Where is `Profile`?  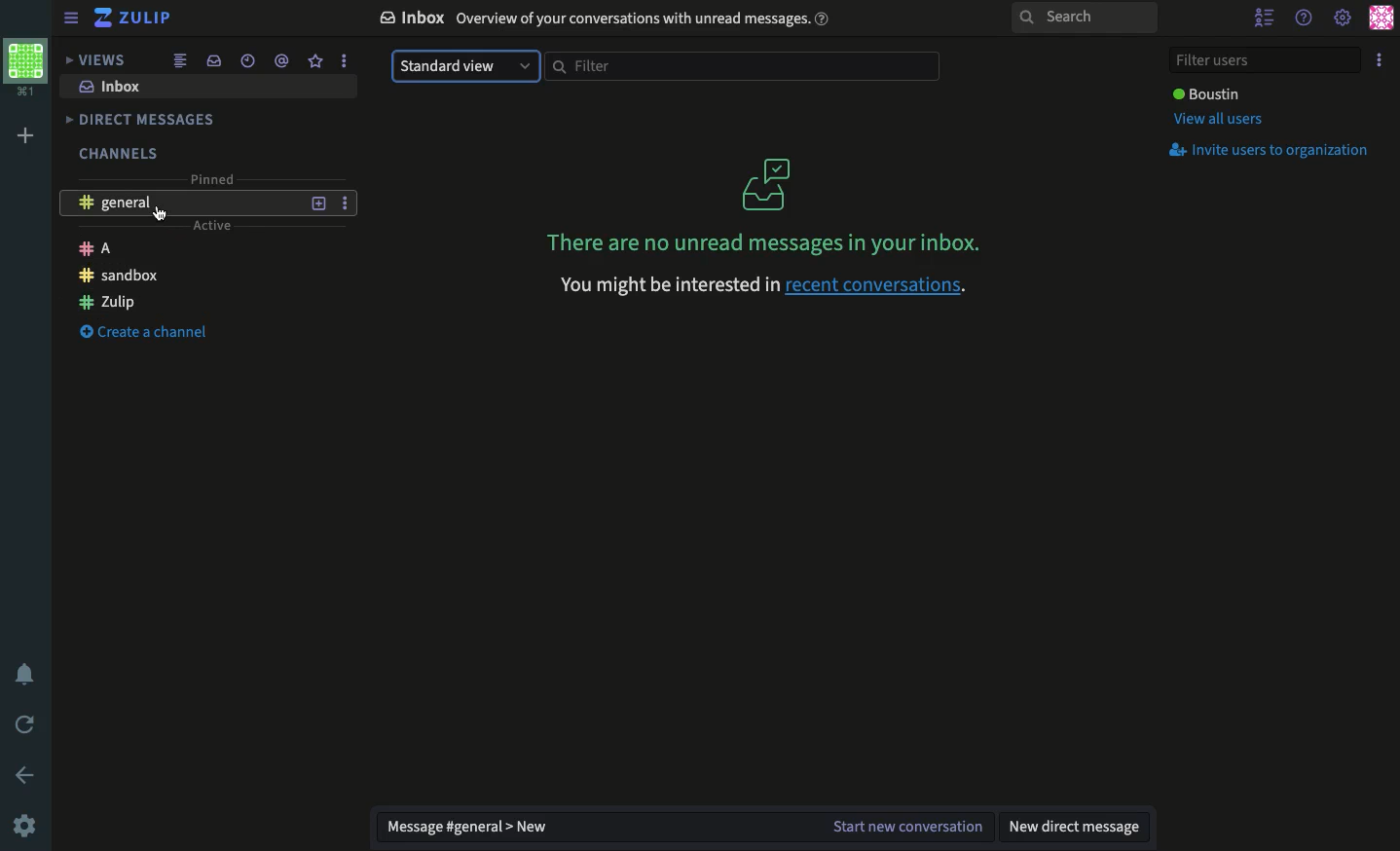
Profile is located at coordinates (1379, 19).